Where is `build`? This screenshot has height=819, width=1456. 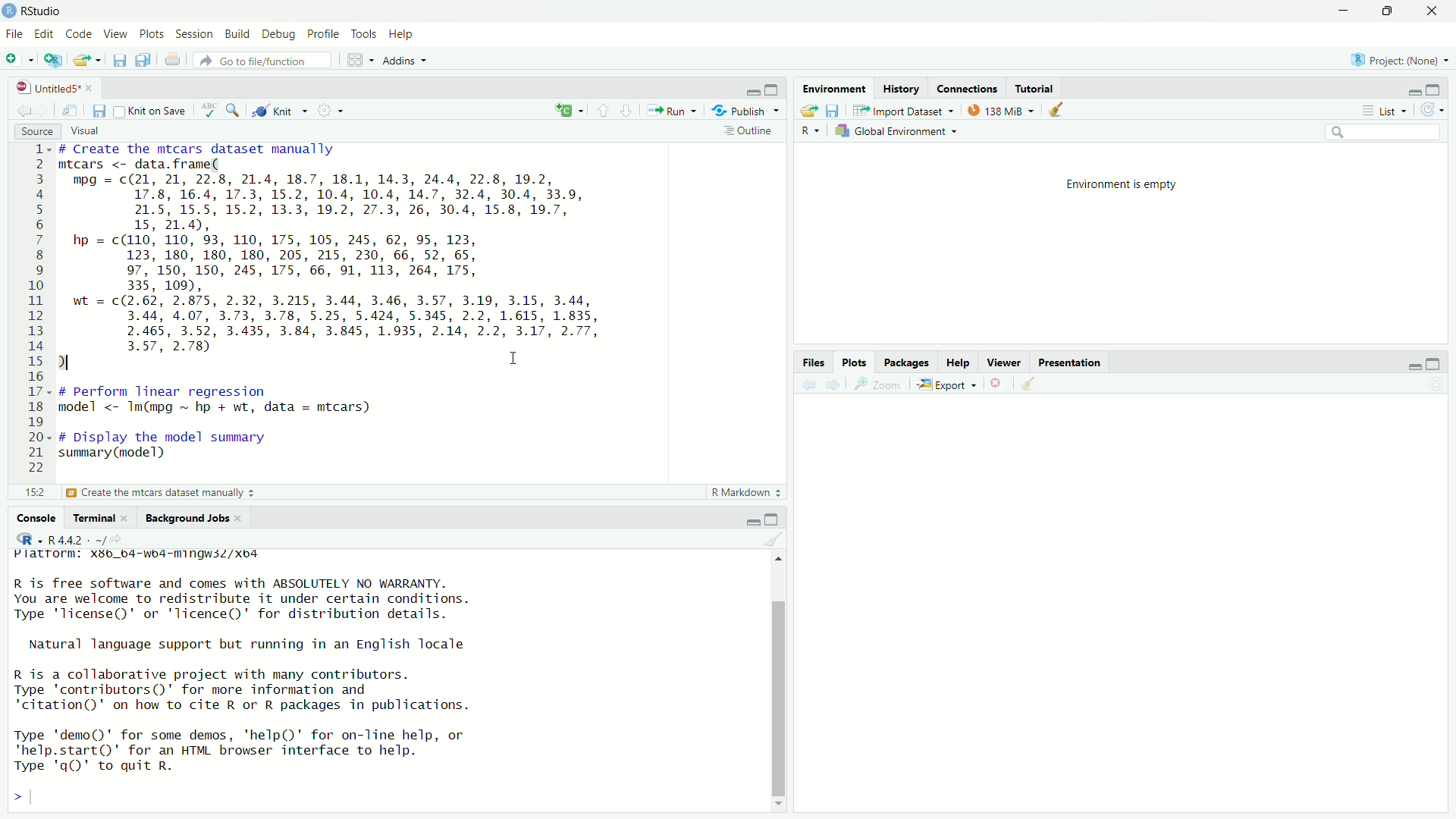 build is located at coordinates (236, 34).